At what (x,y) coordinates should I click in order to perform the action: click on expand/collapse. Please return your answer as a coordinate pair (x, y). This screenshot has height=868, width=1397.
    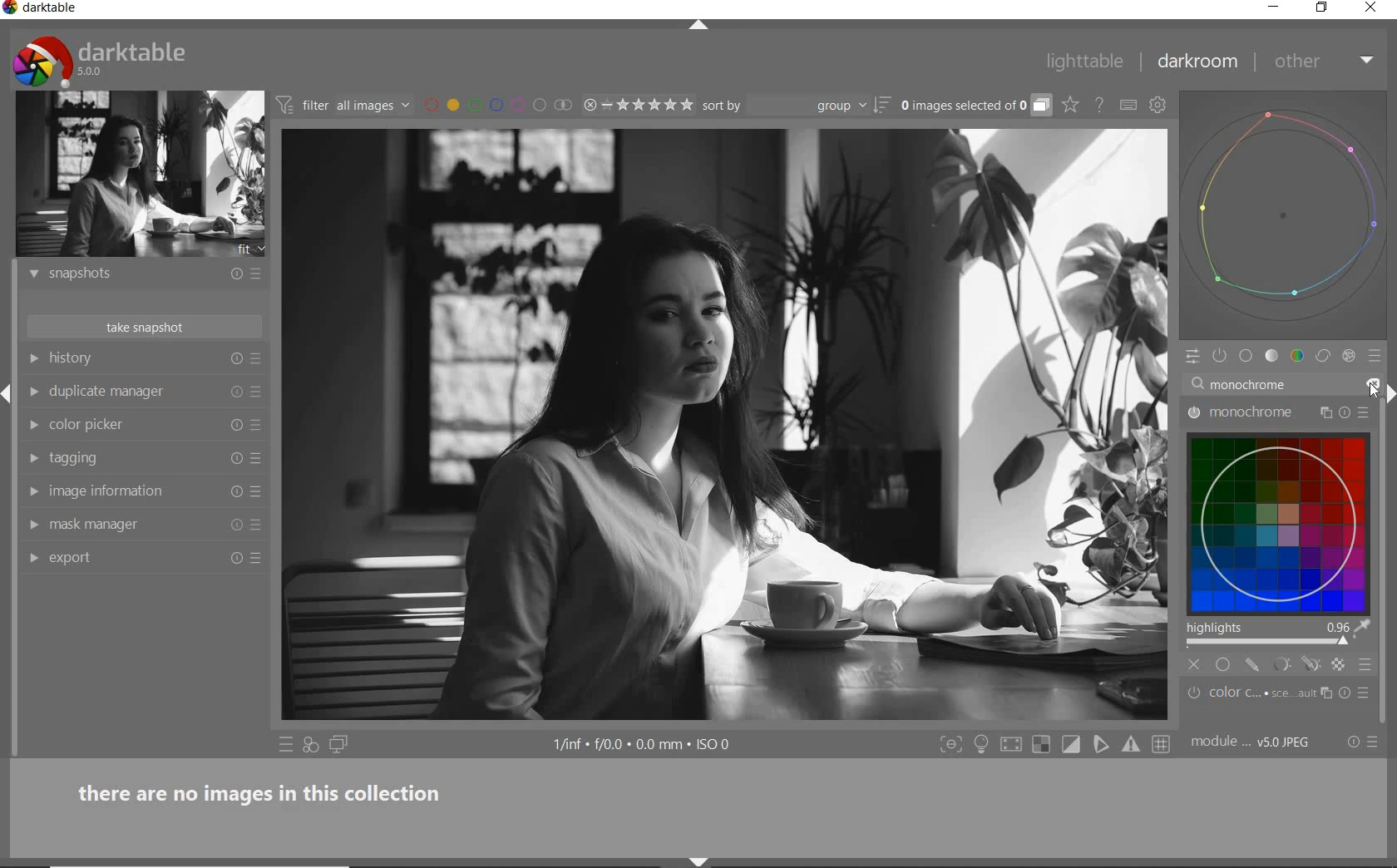
    Looking at the image, I should click on (706, 26).